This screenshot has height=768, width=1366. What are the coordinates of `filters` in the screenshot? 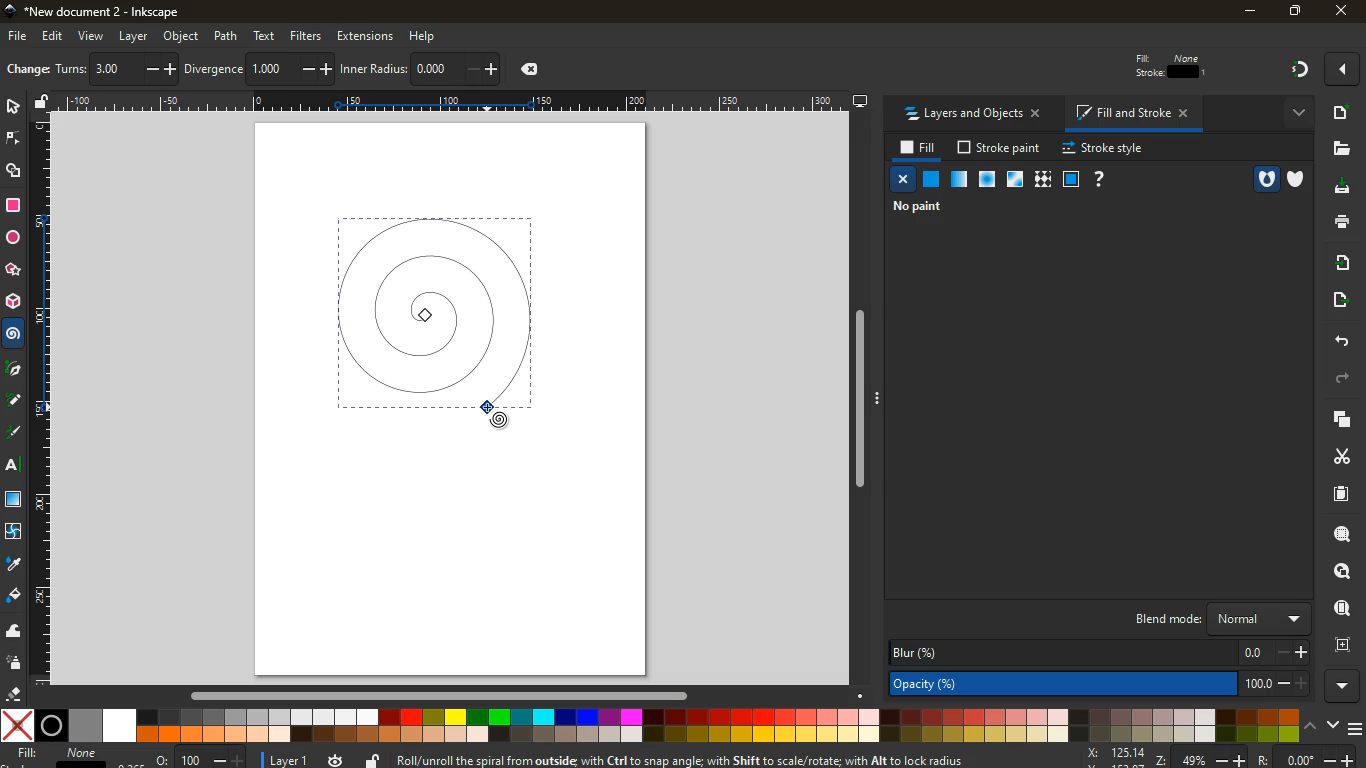 It's located at (307, 34).